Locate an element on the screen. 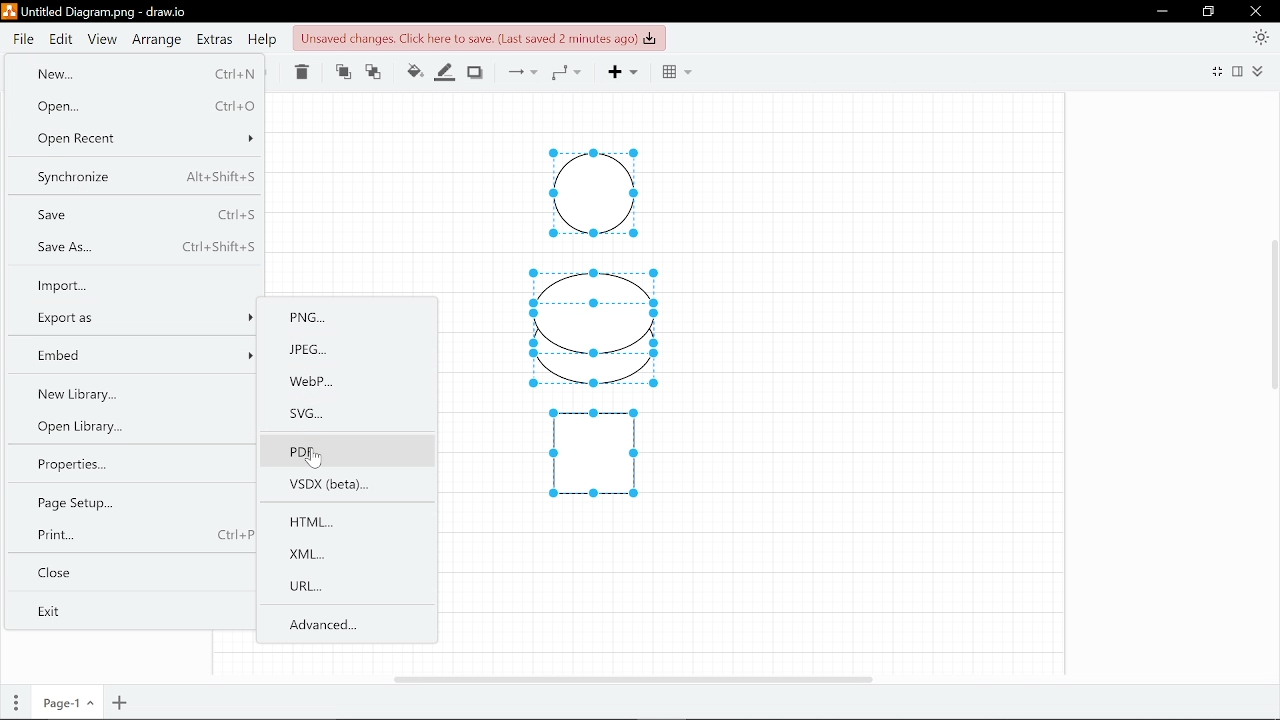 The image size is (1280, 720). Open is located at coordinates (138, 107).